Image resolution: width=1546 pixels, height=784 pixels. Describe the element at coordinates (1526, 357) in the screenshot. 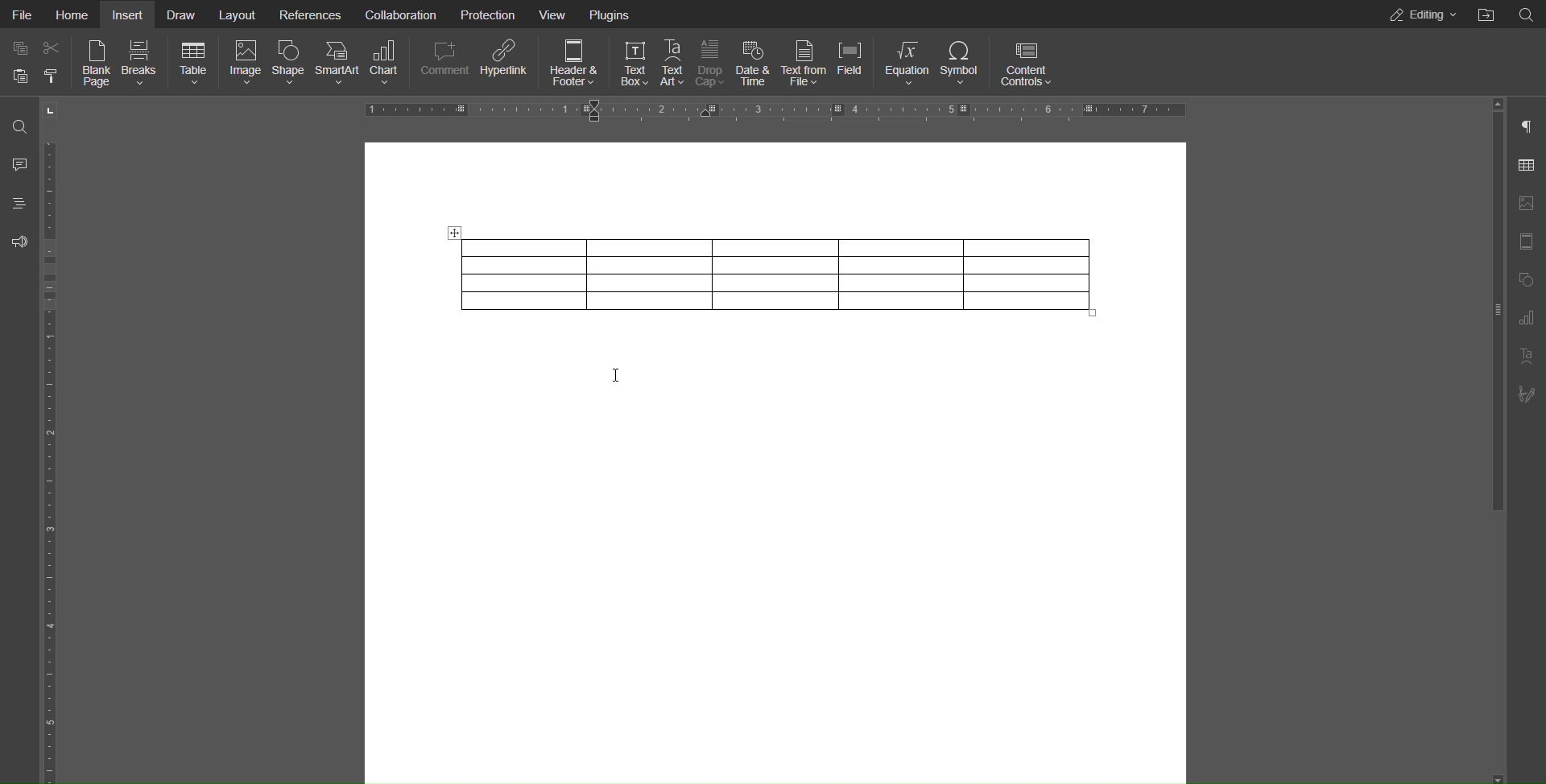

I see `Text Art` at that location.